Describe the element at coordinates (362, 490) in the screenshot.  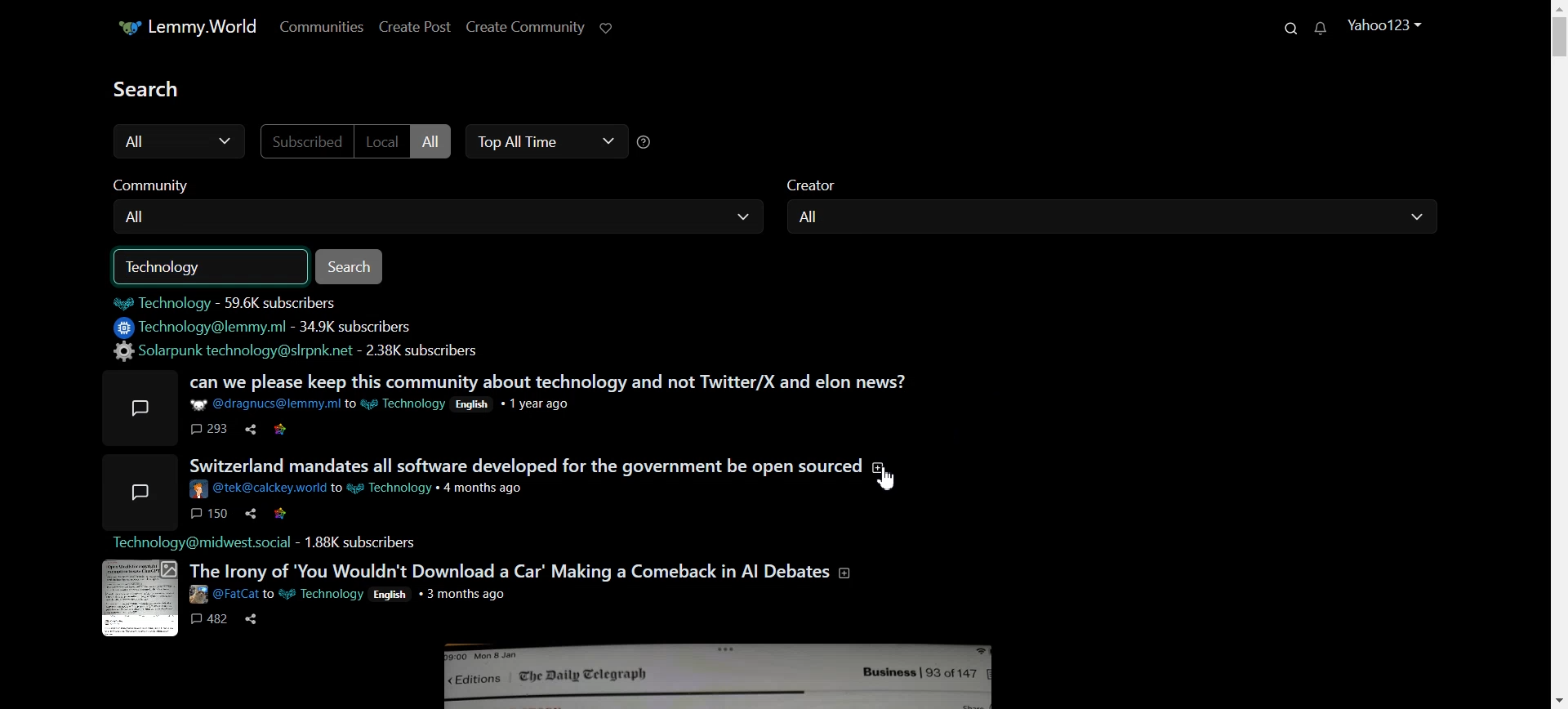
I see `@tek@calckey.world to %# Technology = 4 months ago` at that location.